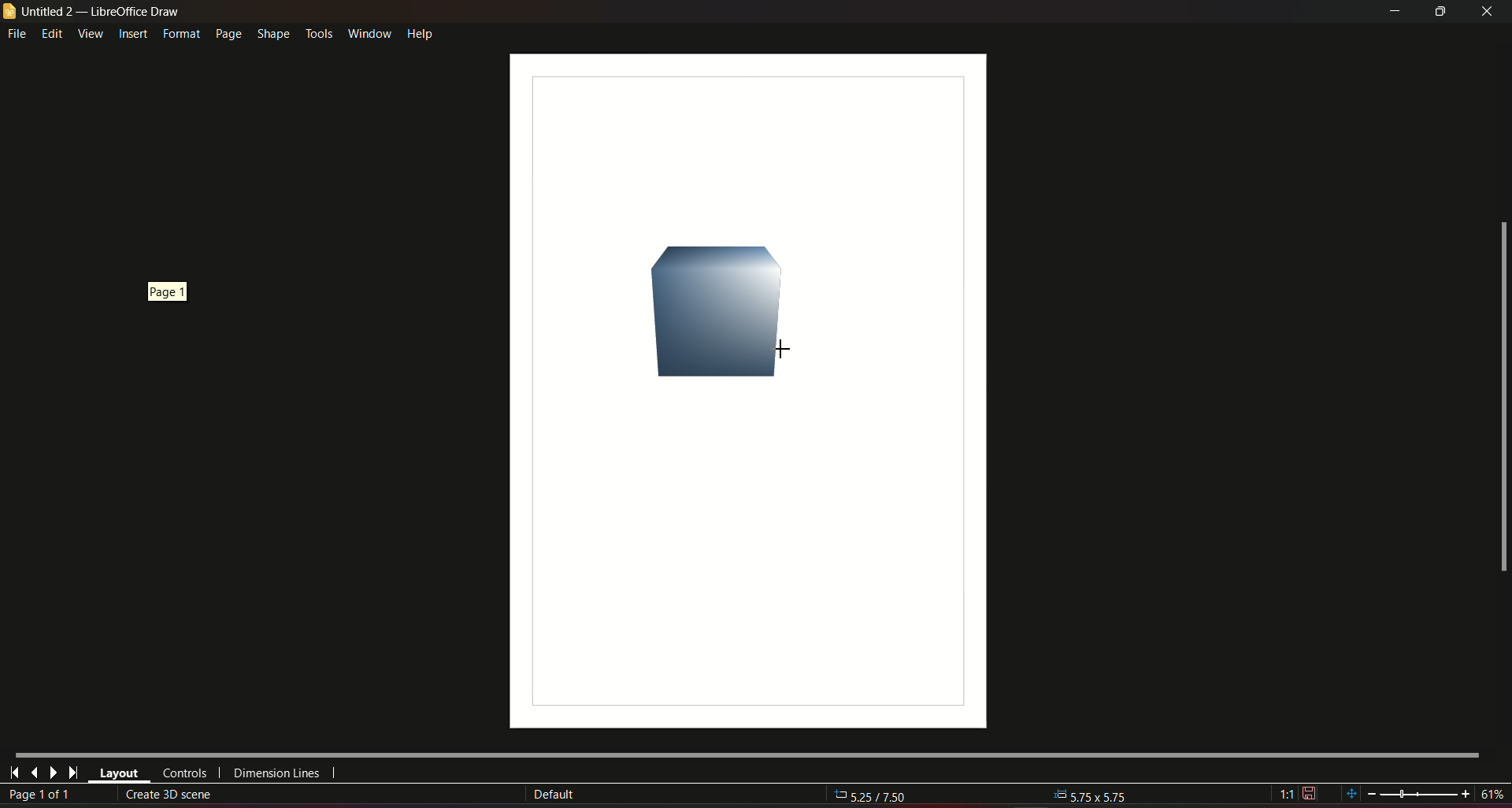  What do you see at coordinates (175, 794) in the screenshot?
I see `create 3D scene` at bounding box center [175, 794].